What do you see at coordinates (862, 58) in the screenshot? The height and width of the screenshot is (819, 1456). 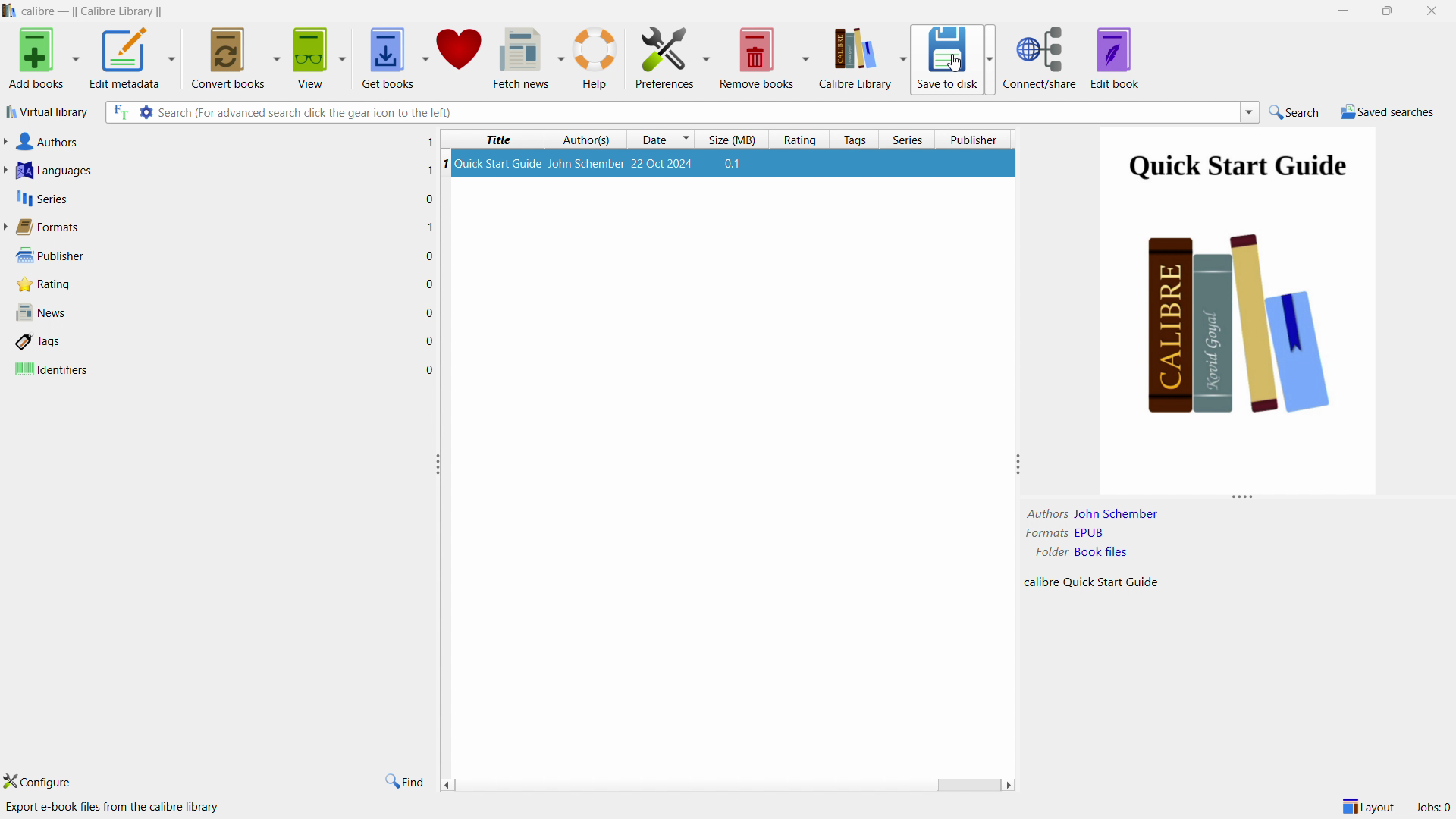 I see `calibre library` at bounding box center [862, 58].